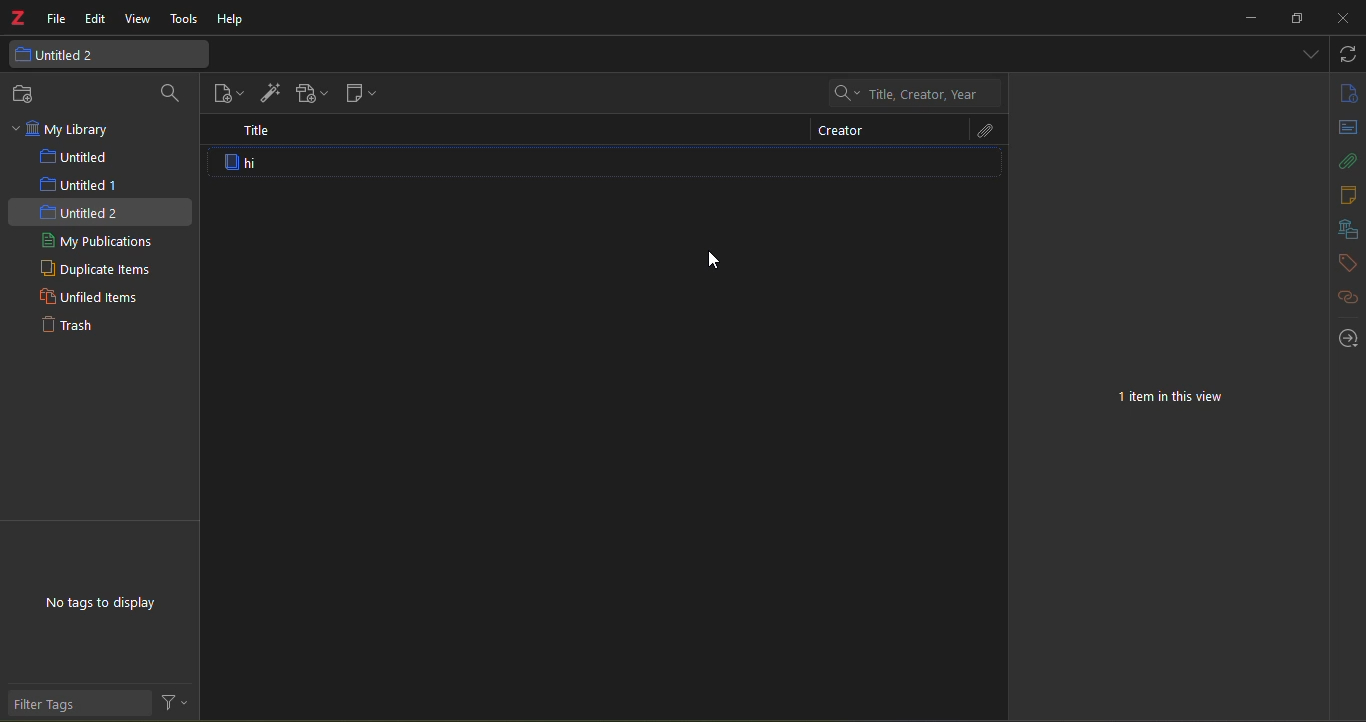 The width and height of the screenshot is (1366, 722). I want to click on no tags to display, so click(103, 602).